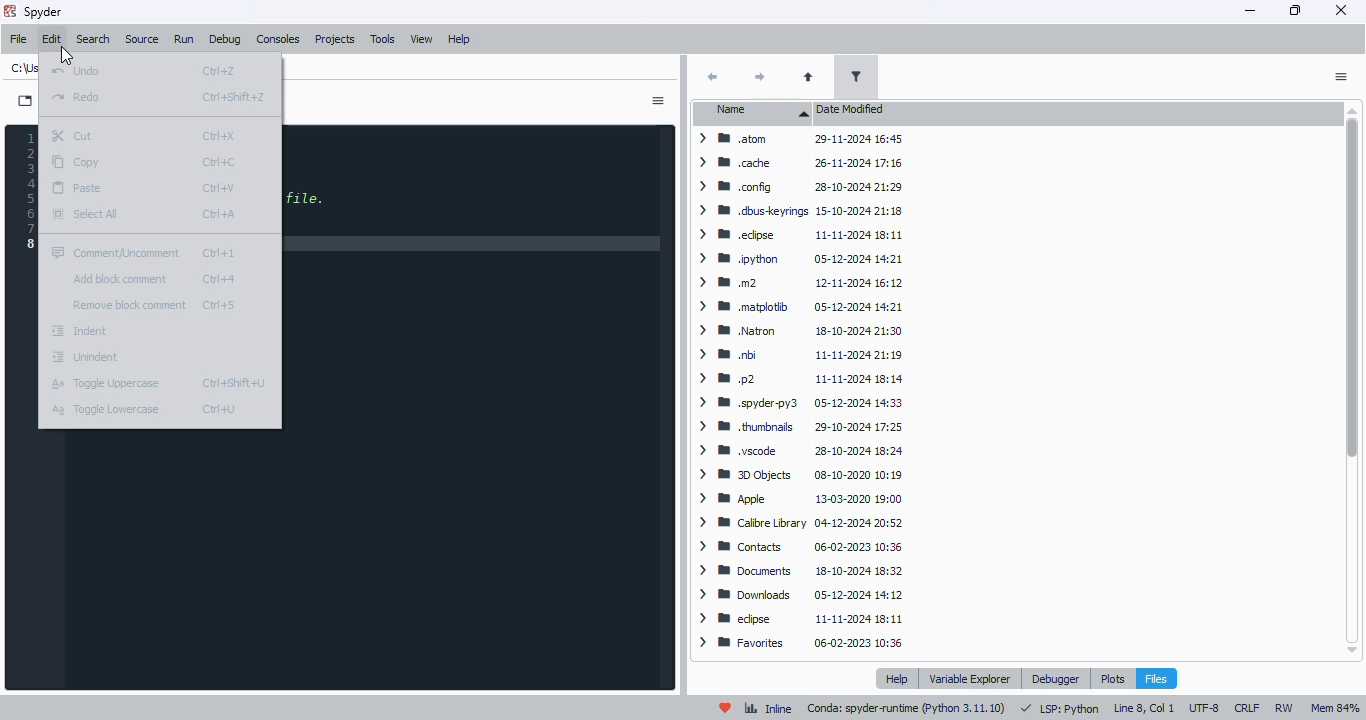  What do you see at coordinates (798, 453) in the screenshot?
I see `2 ® ,vscode 28-10-2024 18:24` at bounding box center [798, 453].